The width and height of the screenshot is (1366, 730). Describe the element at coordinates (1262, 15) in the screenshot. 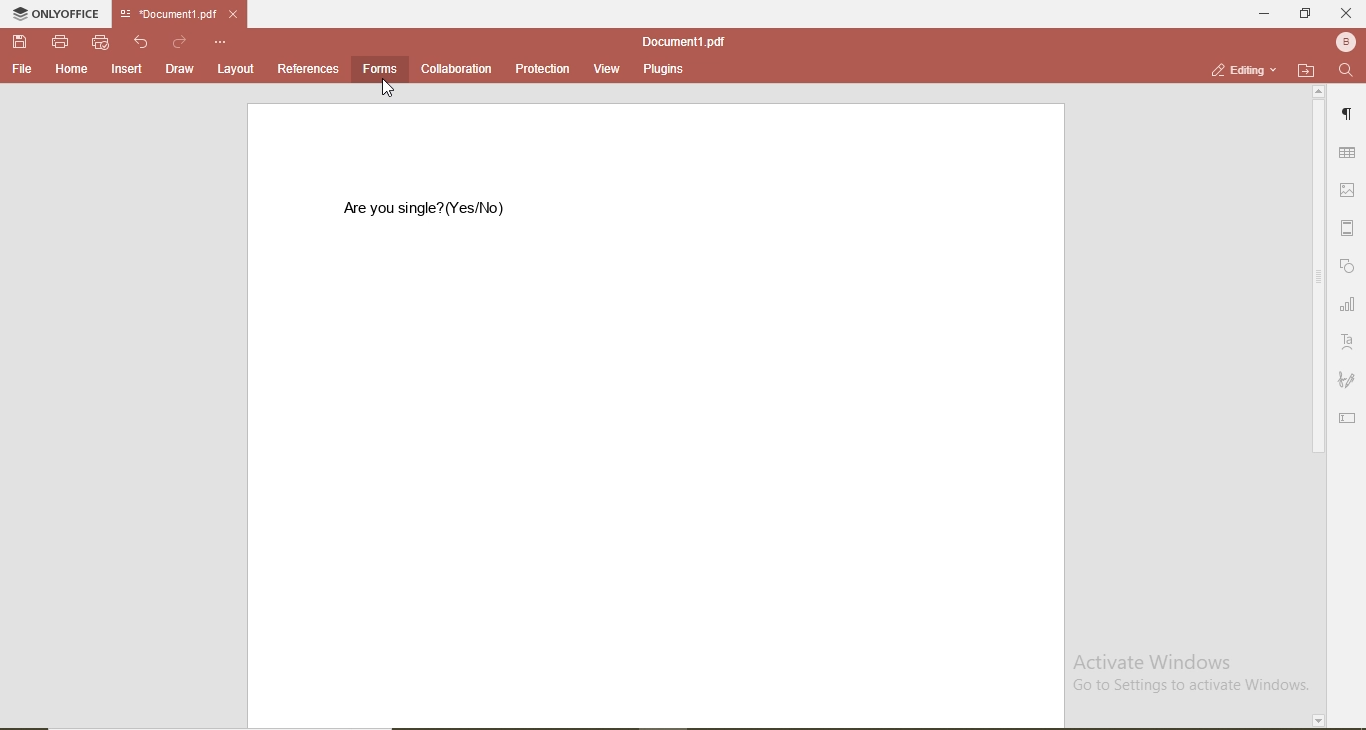

I see `minimise` at that location.